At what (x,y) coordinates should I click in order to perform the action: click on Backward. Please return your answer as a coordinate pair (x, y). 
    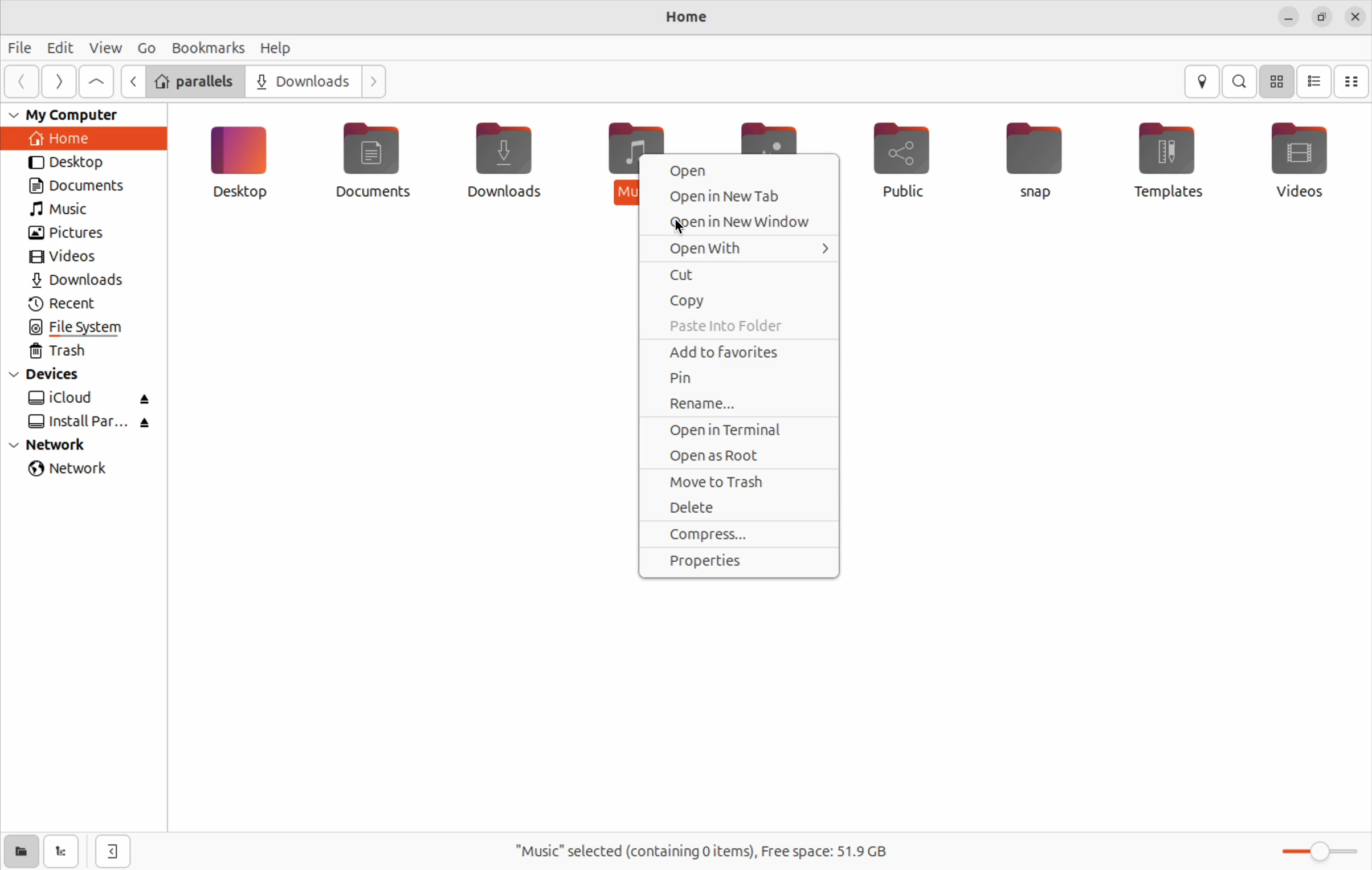
    Looking at the image, I should click on (130, 81).